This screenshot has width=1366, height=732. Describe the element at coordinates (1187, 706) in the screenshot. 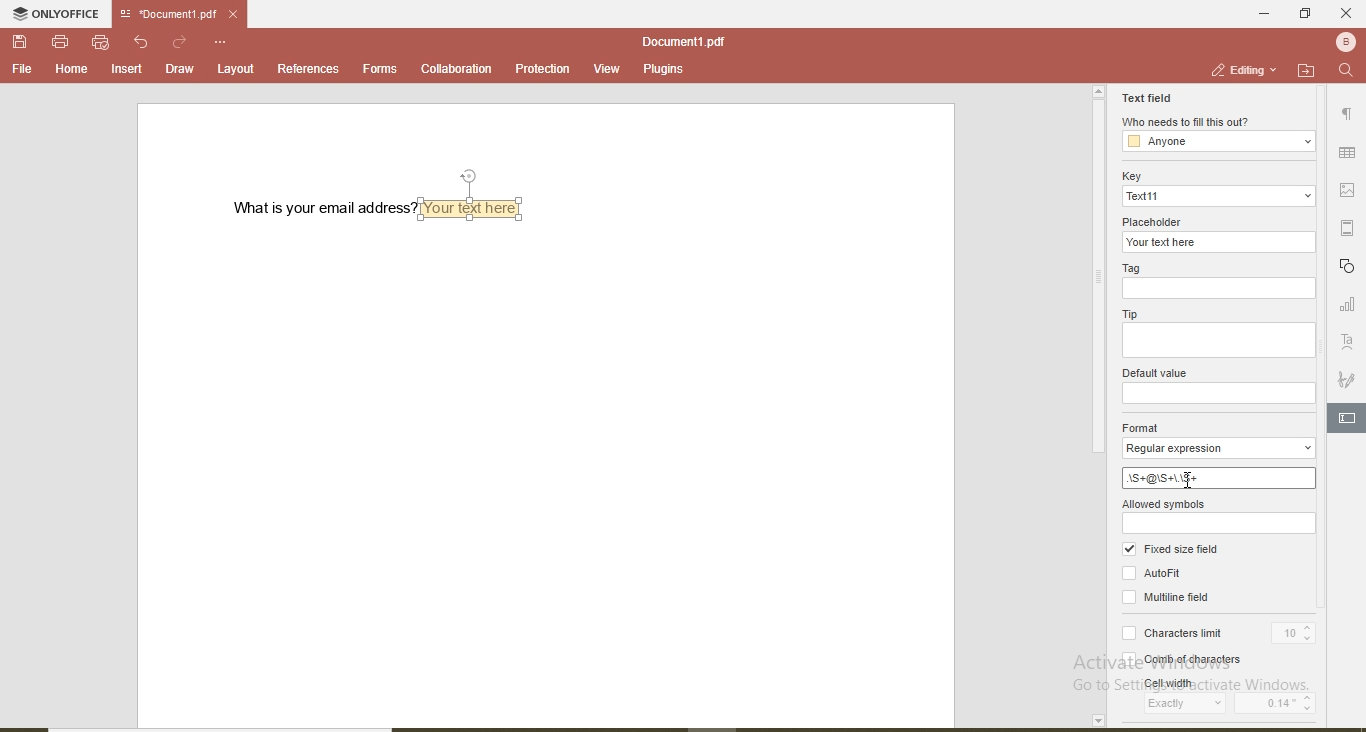

I see `exactly` at that location.